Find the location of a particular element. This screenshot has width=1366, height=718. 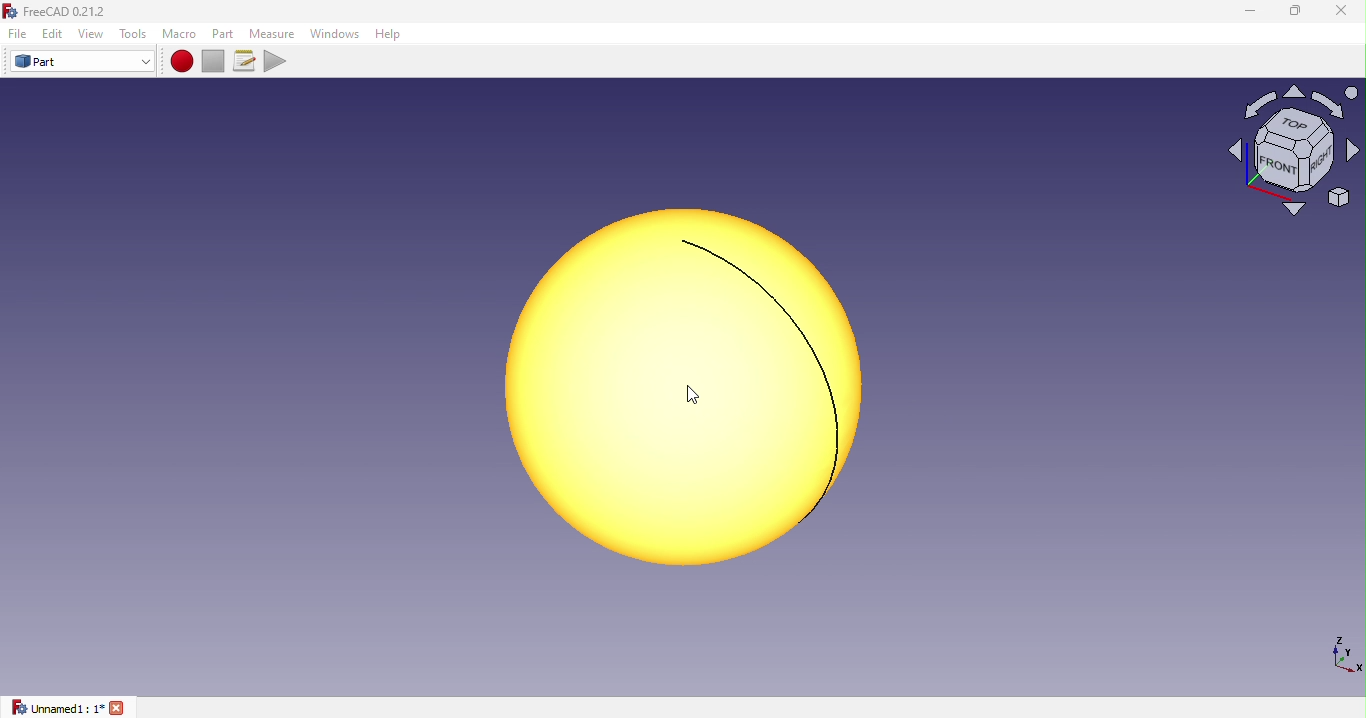

Close is located at coordinates (1333, 14).